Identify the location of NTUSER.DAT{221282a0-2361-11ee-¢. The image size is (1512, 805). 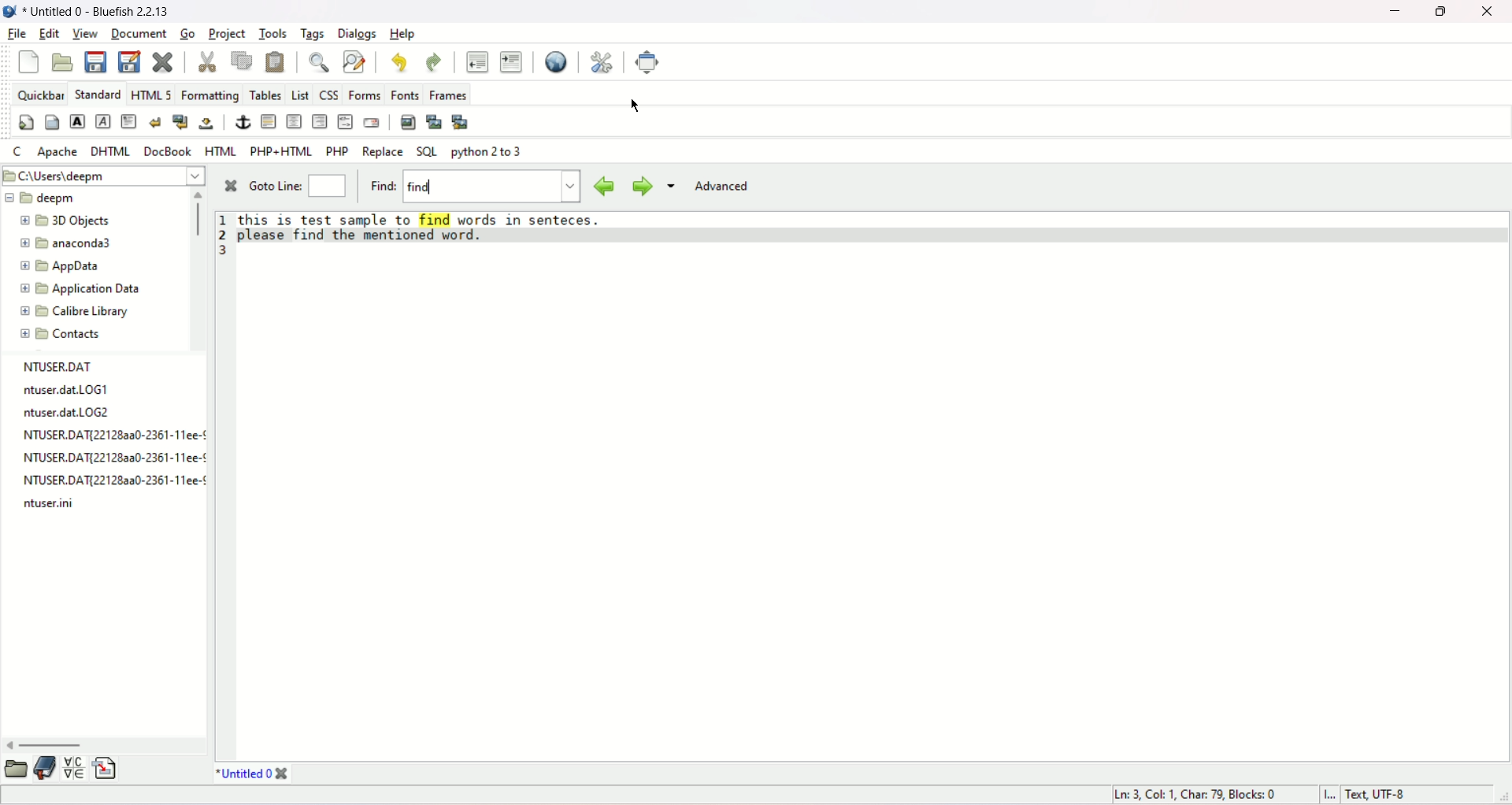
(112, 436).